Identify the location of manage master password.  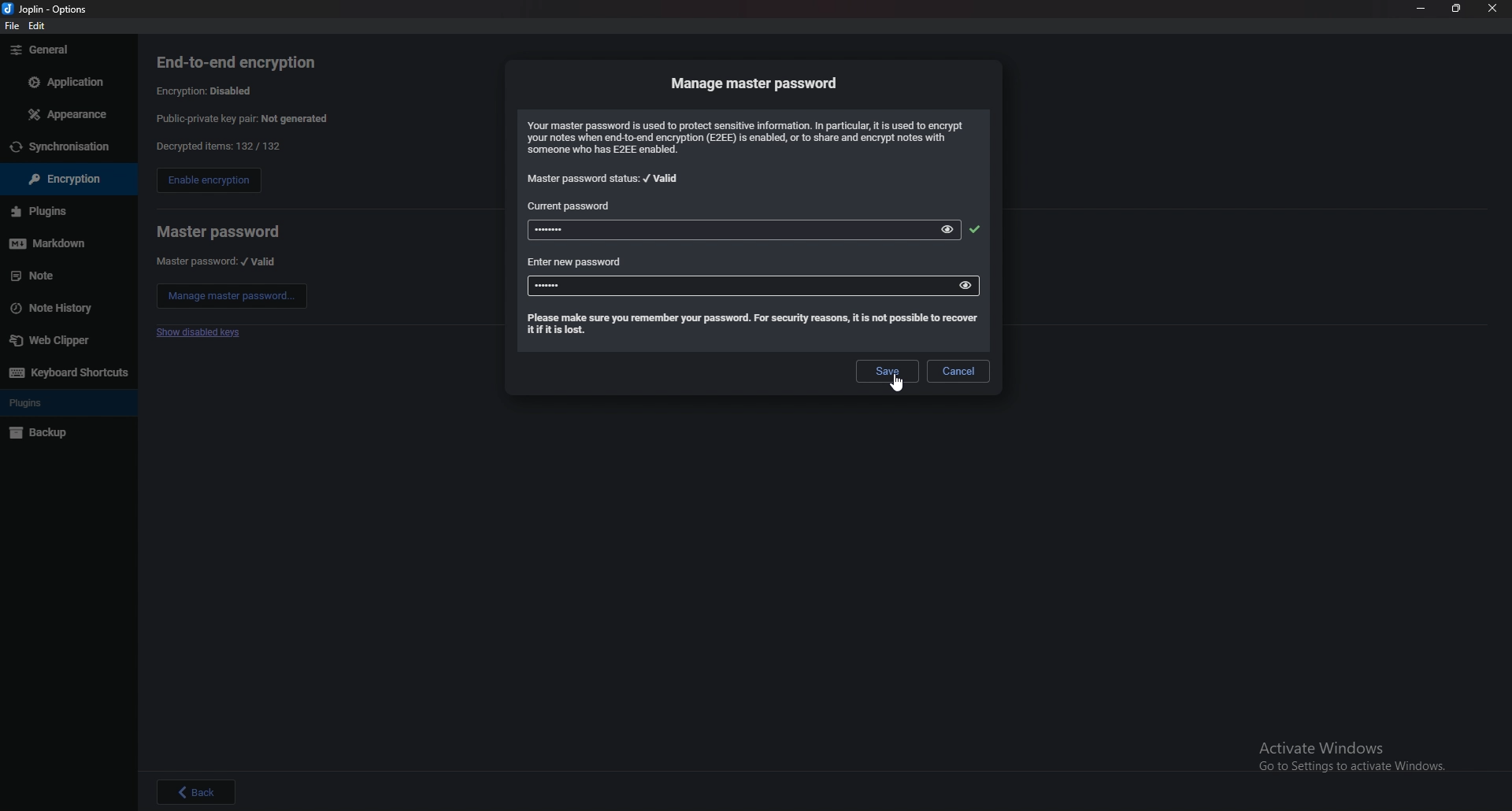
(757, 83).